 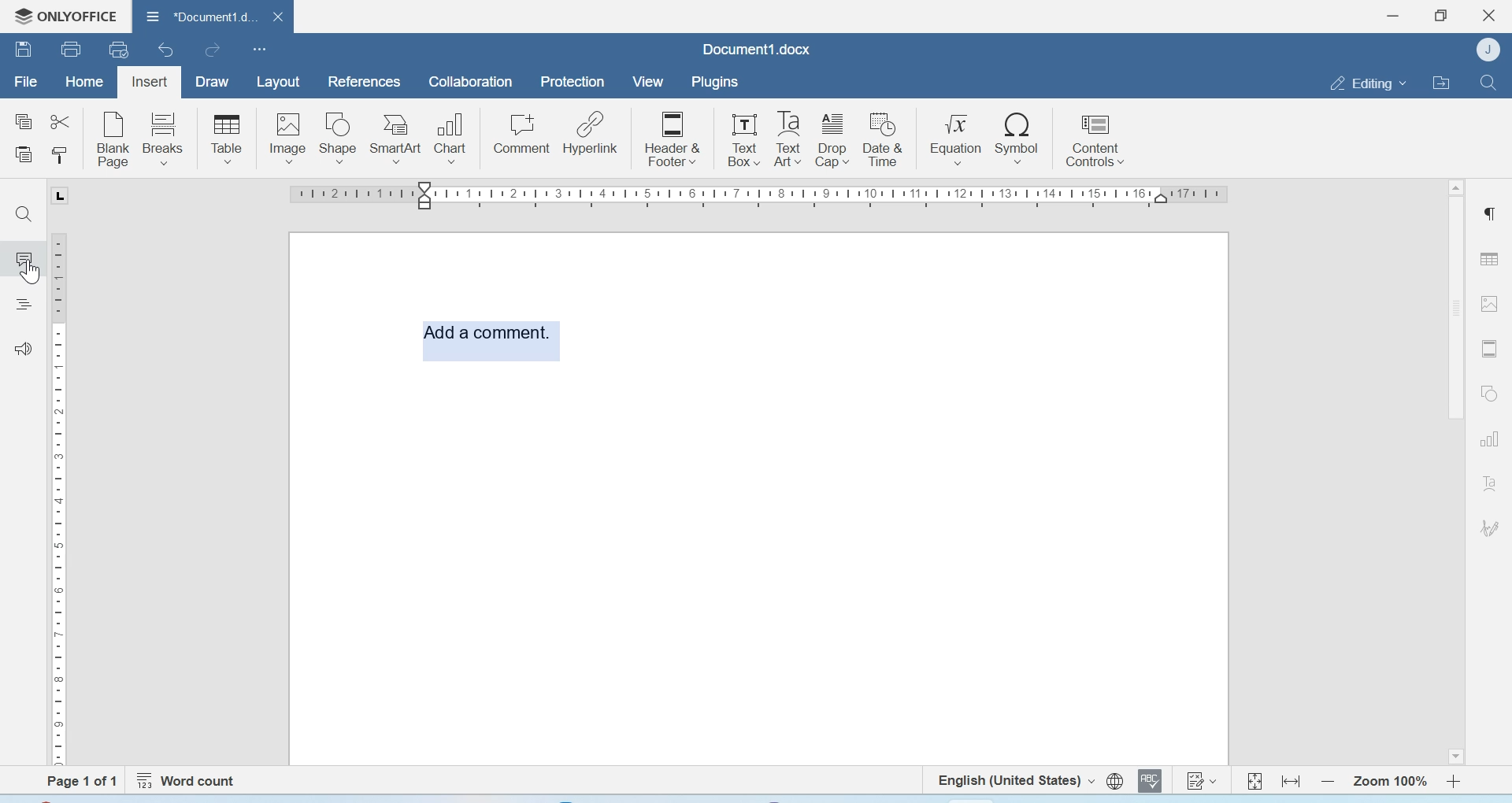 I want to click on Zoom, so click(x=1388, y=782).